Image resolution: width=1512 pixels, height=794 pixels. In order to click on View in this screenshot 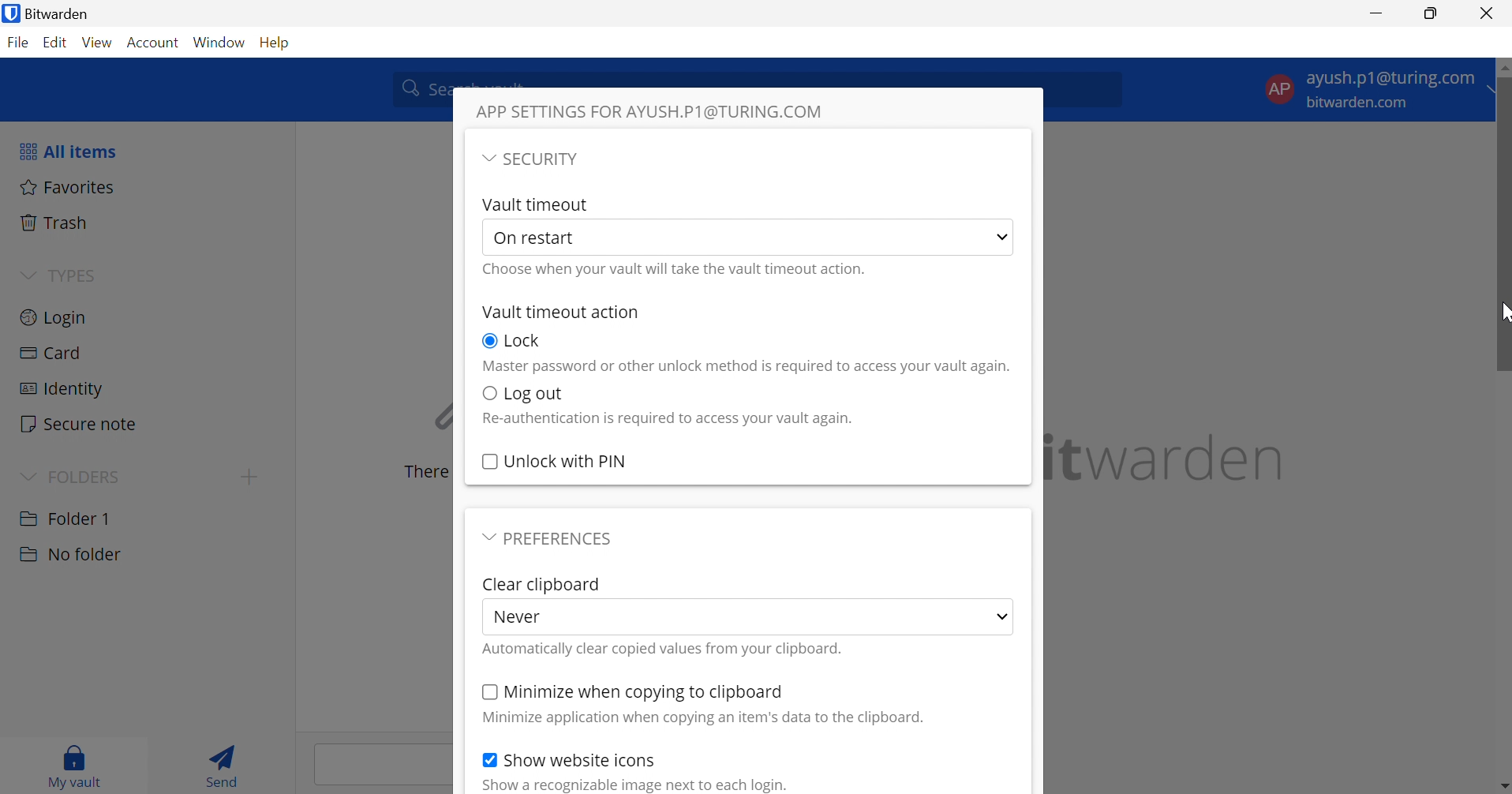, I will do `click(99, 43)`.